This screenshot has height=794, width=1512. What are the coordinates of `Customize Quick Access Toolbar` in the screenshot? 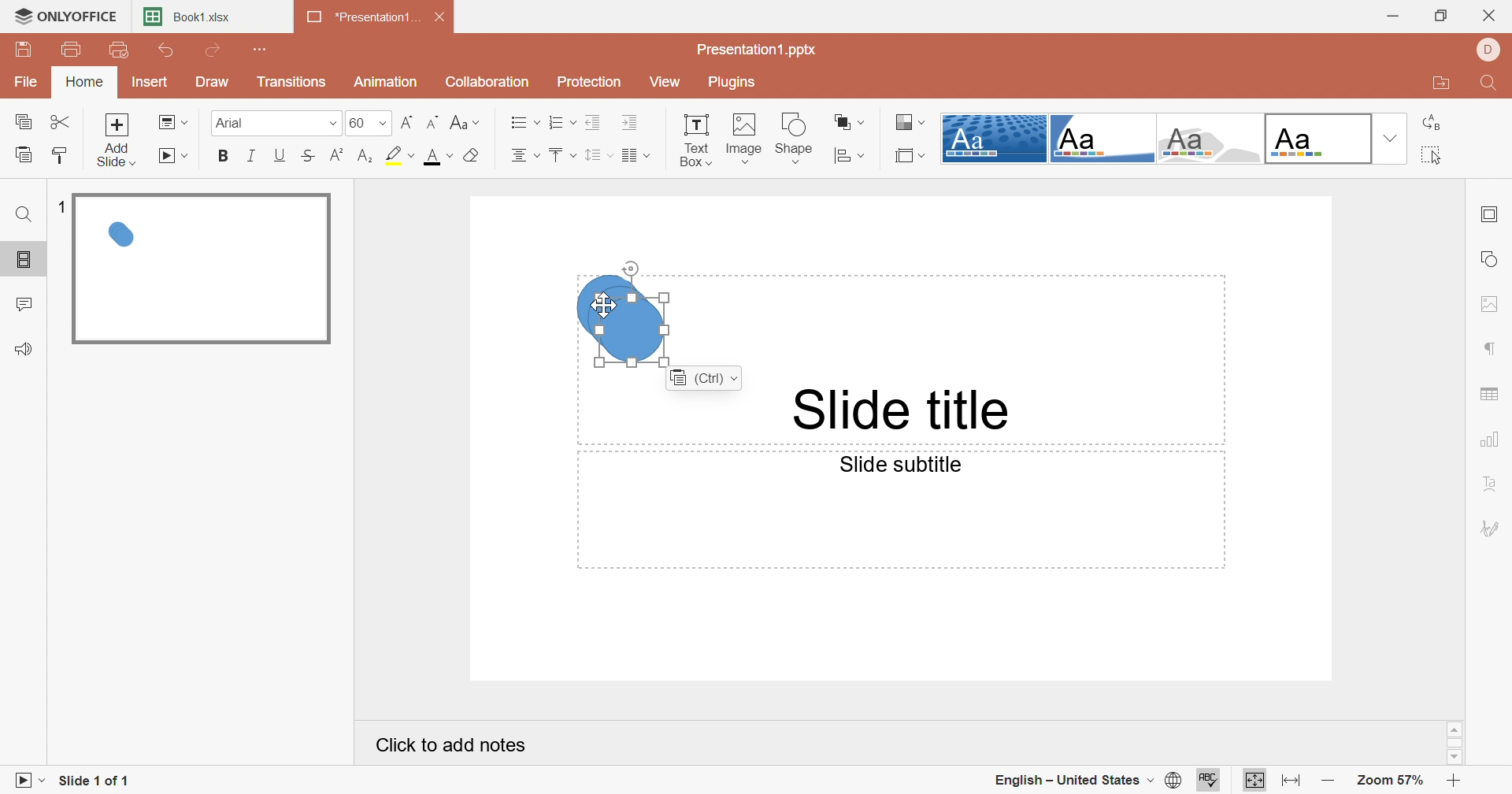 It's located at (262, 49).